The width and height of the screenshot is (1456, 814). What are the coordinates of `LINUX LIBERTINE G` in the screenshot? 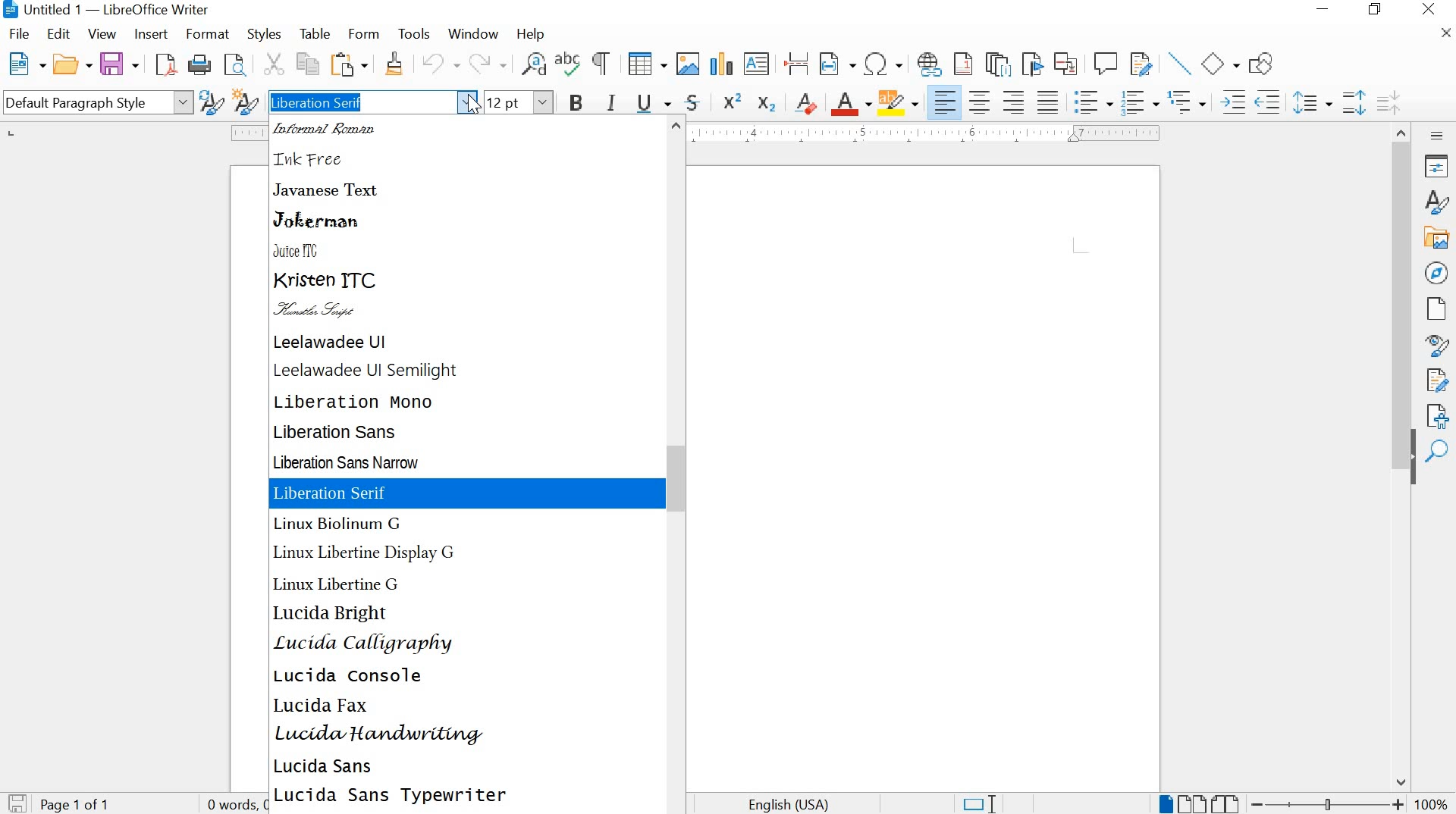 It's located at (344, 582).